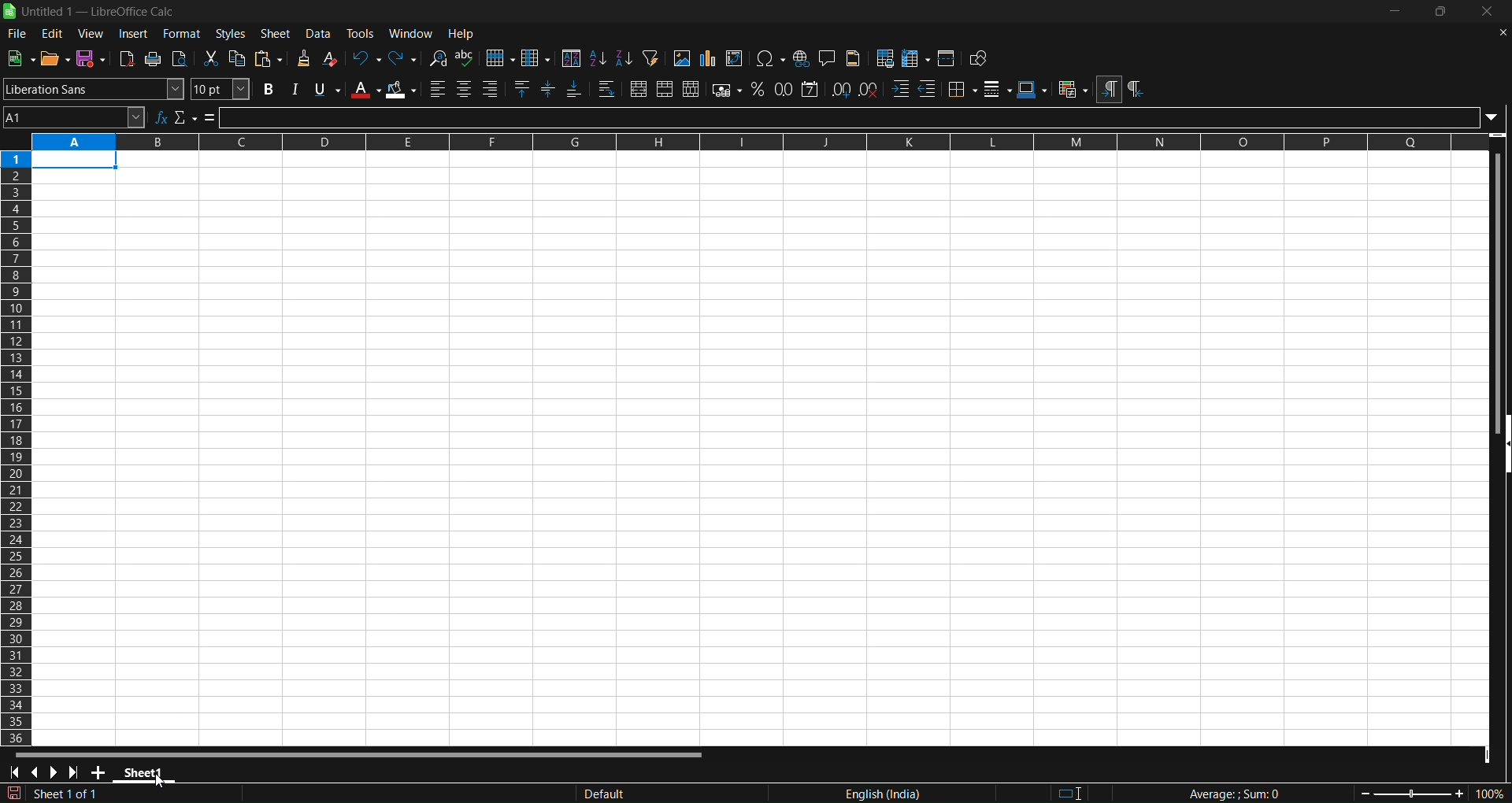 The width and height of the screenshot is (1512, 803). I want to click on align right, so click(493, 90).